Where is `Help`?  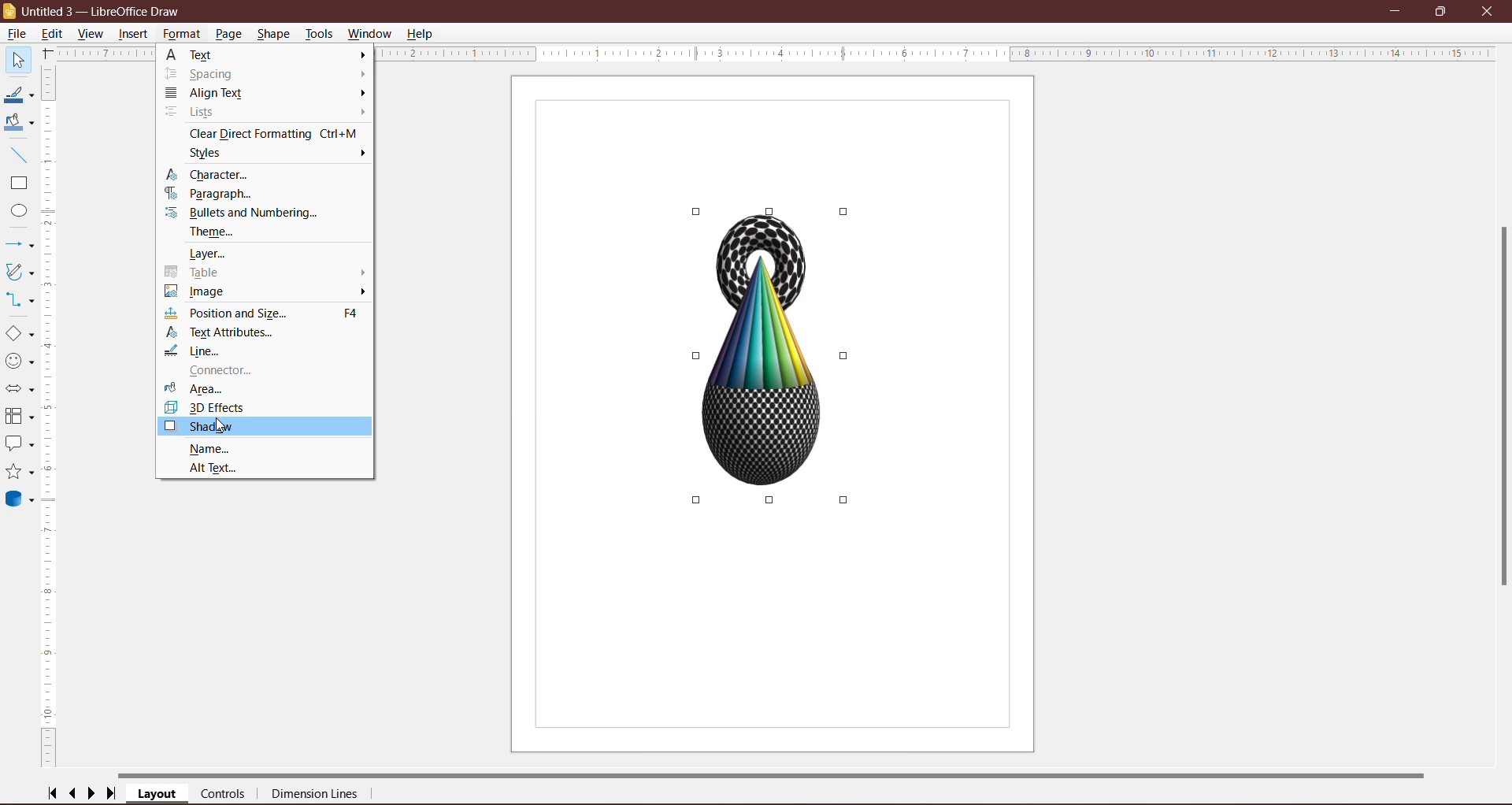 Help is located at coordinates (422, 35).